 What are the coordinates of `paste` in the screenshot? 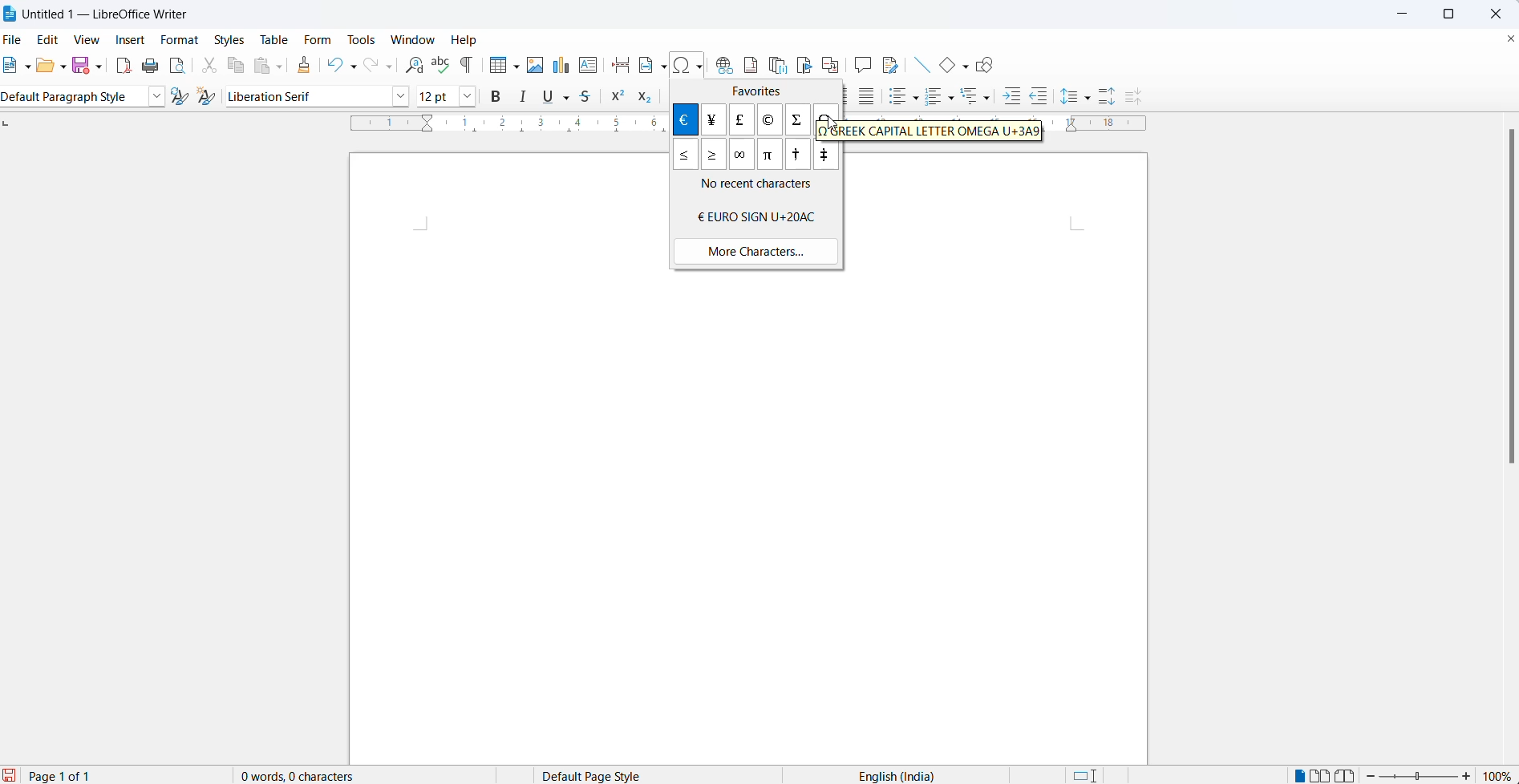 It's located at (261, 67).